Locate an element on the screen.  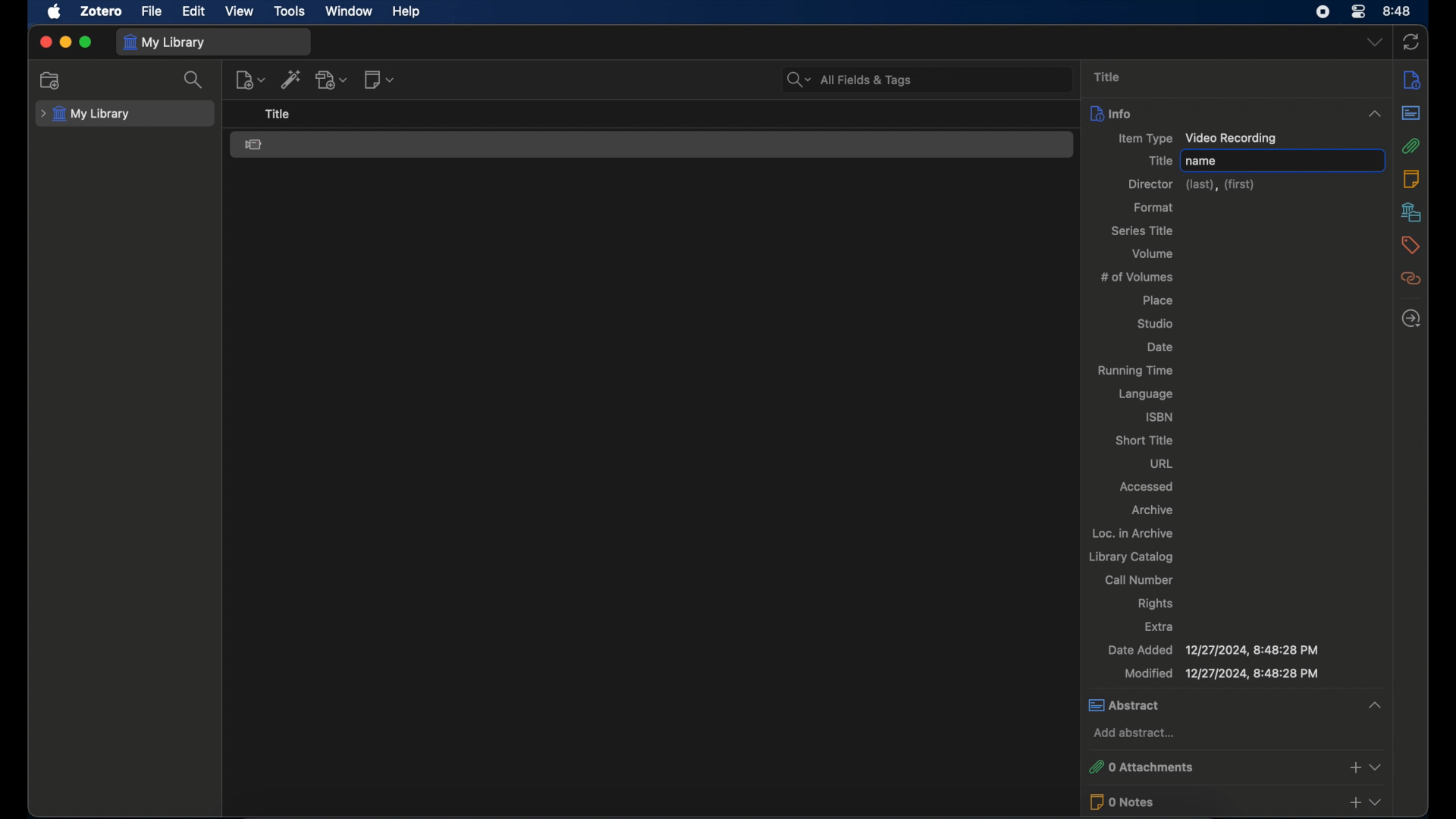
my library is located at coordinates (87, 114).